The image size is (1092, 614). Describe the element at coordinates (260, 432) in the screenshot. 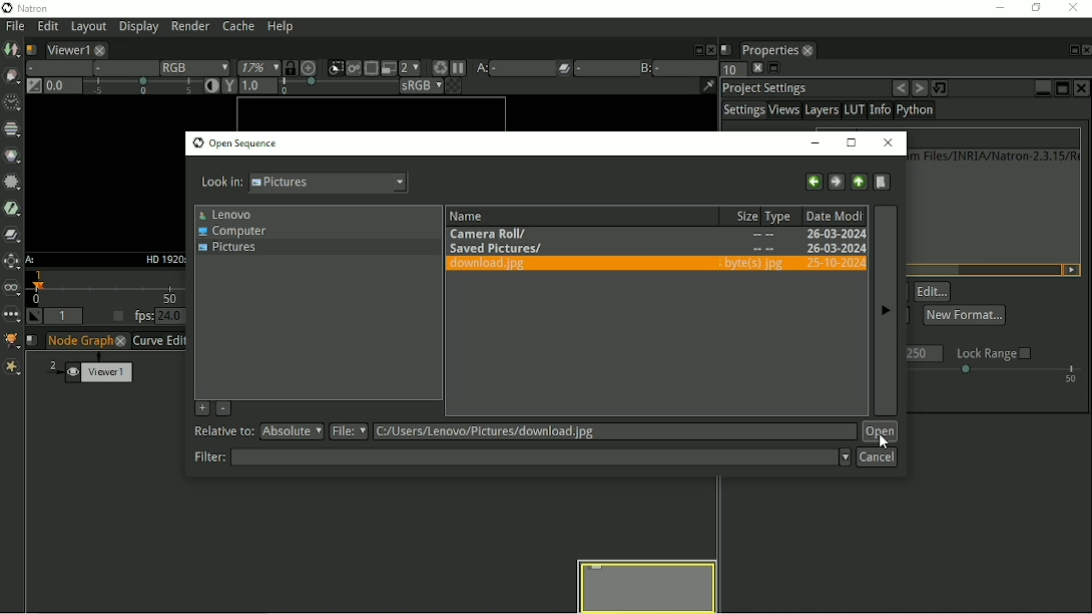

I see `Relative to` at that location.